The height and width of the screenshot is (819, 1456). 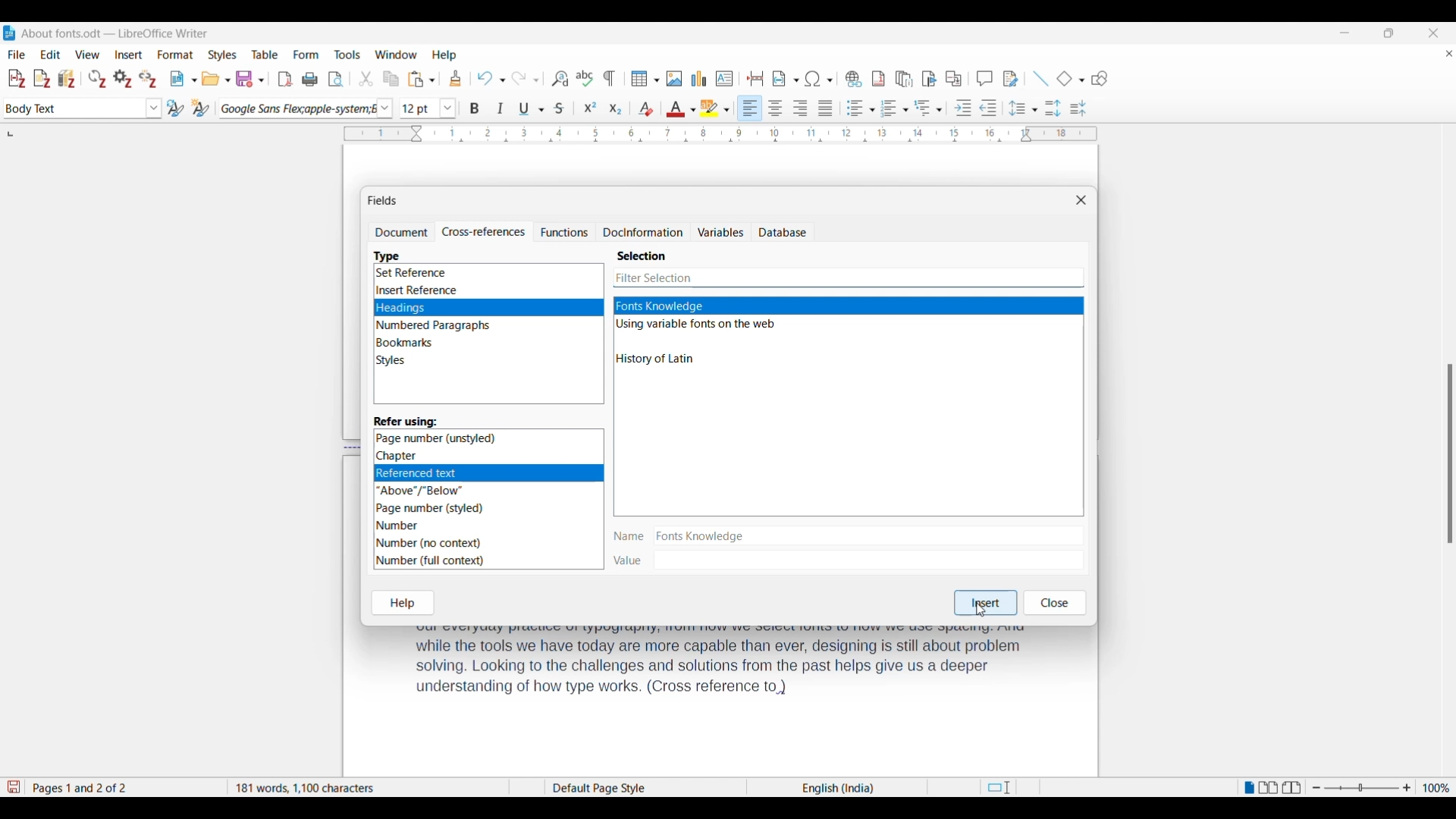 What do you see at coordinates (413, 274) in the screenshot?
I see `Set Reference` at bounding box center [413, 274].